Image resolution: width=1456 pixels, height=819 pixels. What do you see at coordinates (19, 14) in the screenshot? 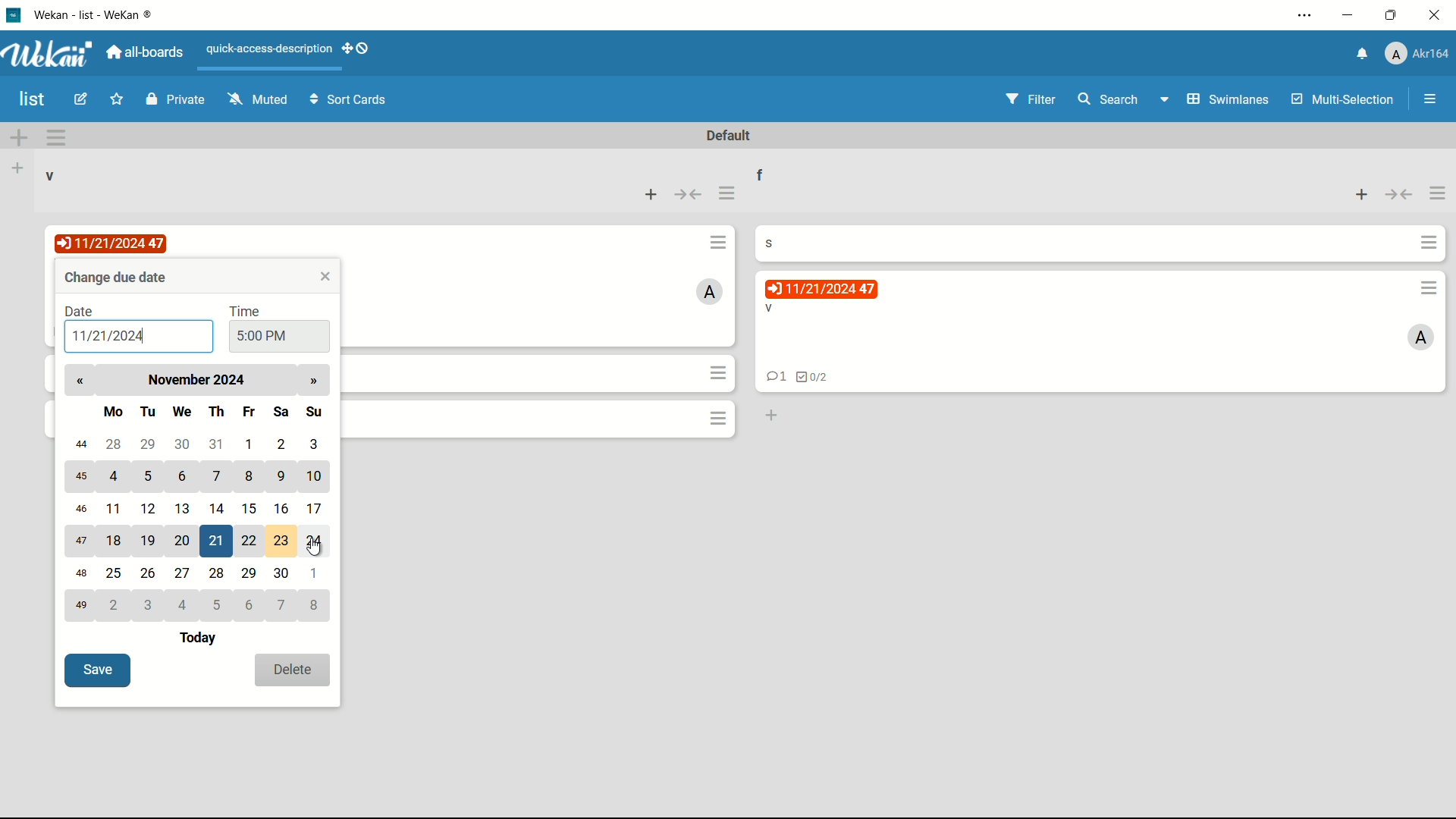
I see `wekan icon` at bounding box center [19, 14].